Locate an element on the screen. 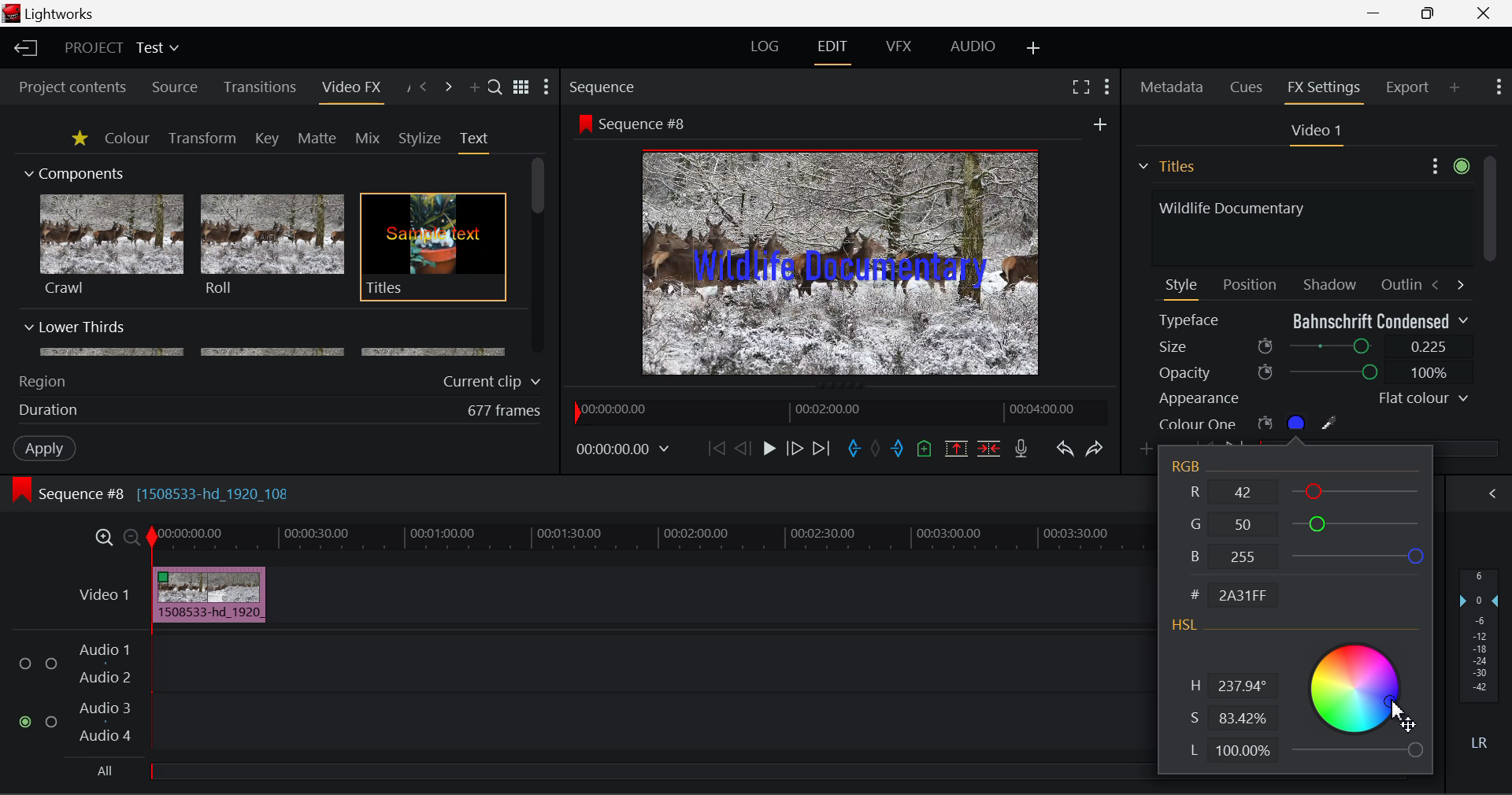  Audio 2 is located at coordinates (106, 678).